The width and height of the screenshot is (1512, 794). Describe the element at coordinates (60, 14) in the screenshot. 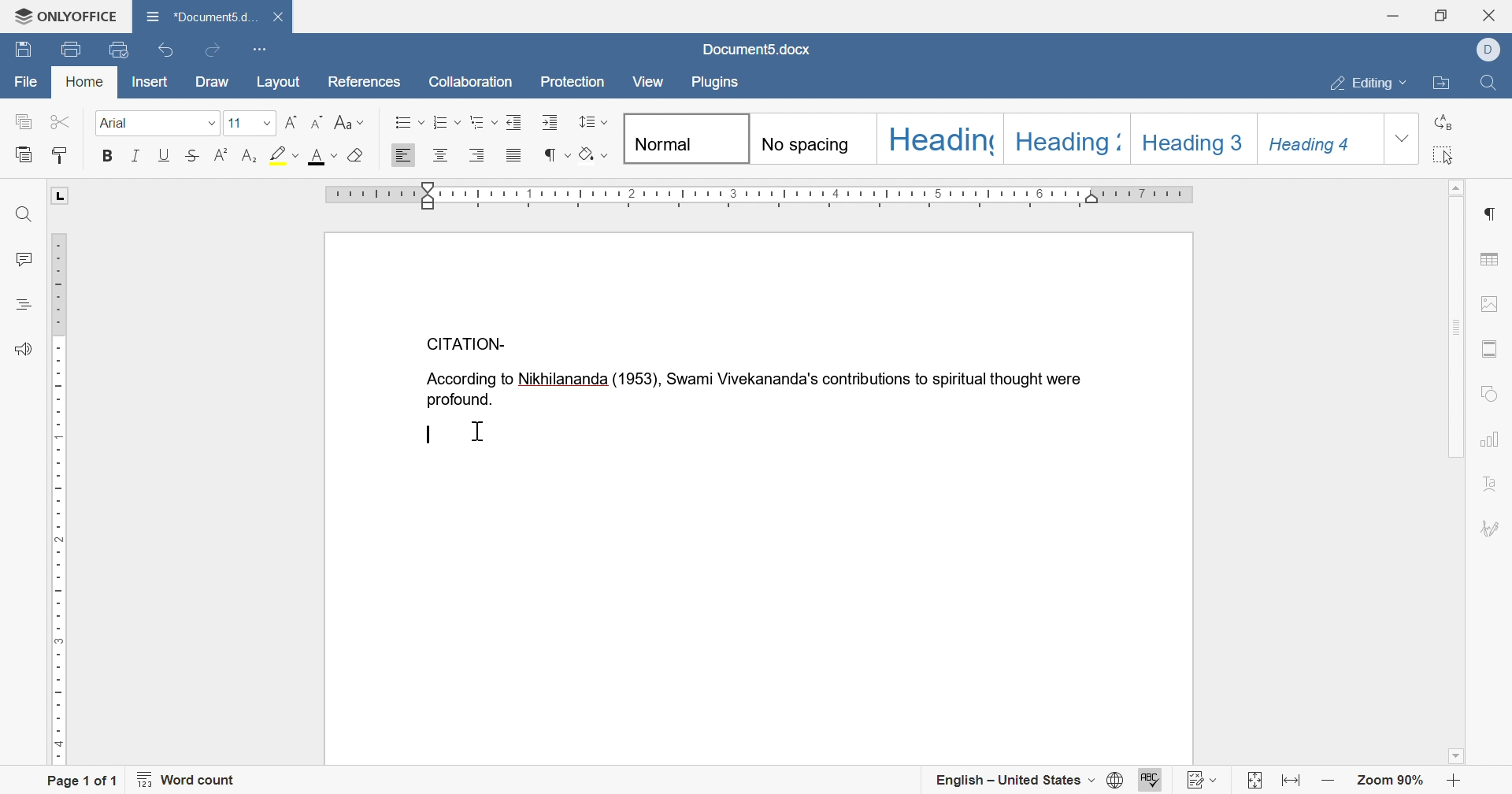

I see `ONLYOFFICE` at that location.